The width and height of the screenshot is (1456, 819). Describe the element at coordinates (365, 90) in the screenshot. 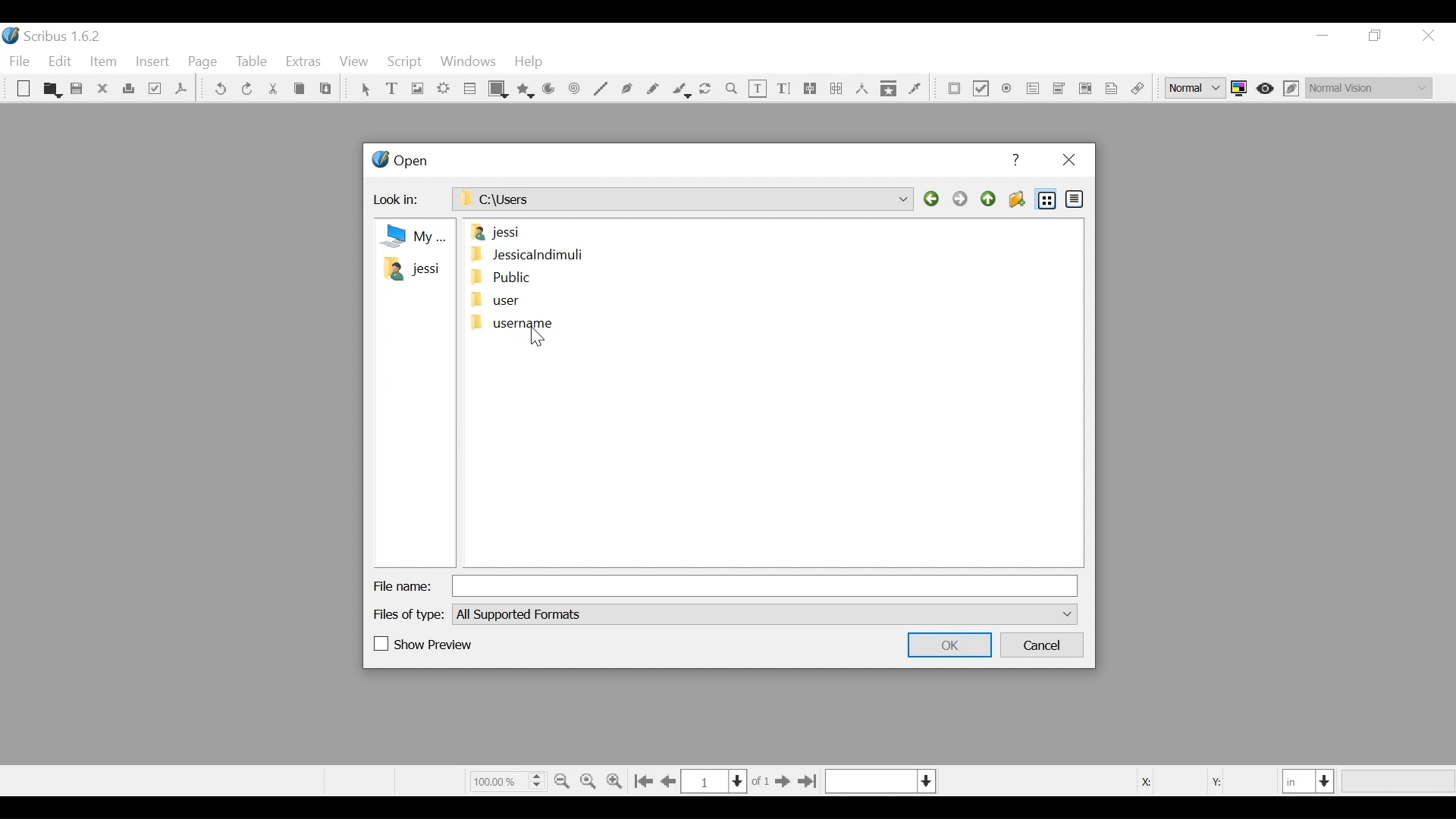

I see `Select` at that location.